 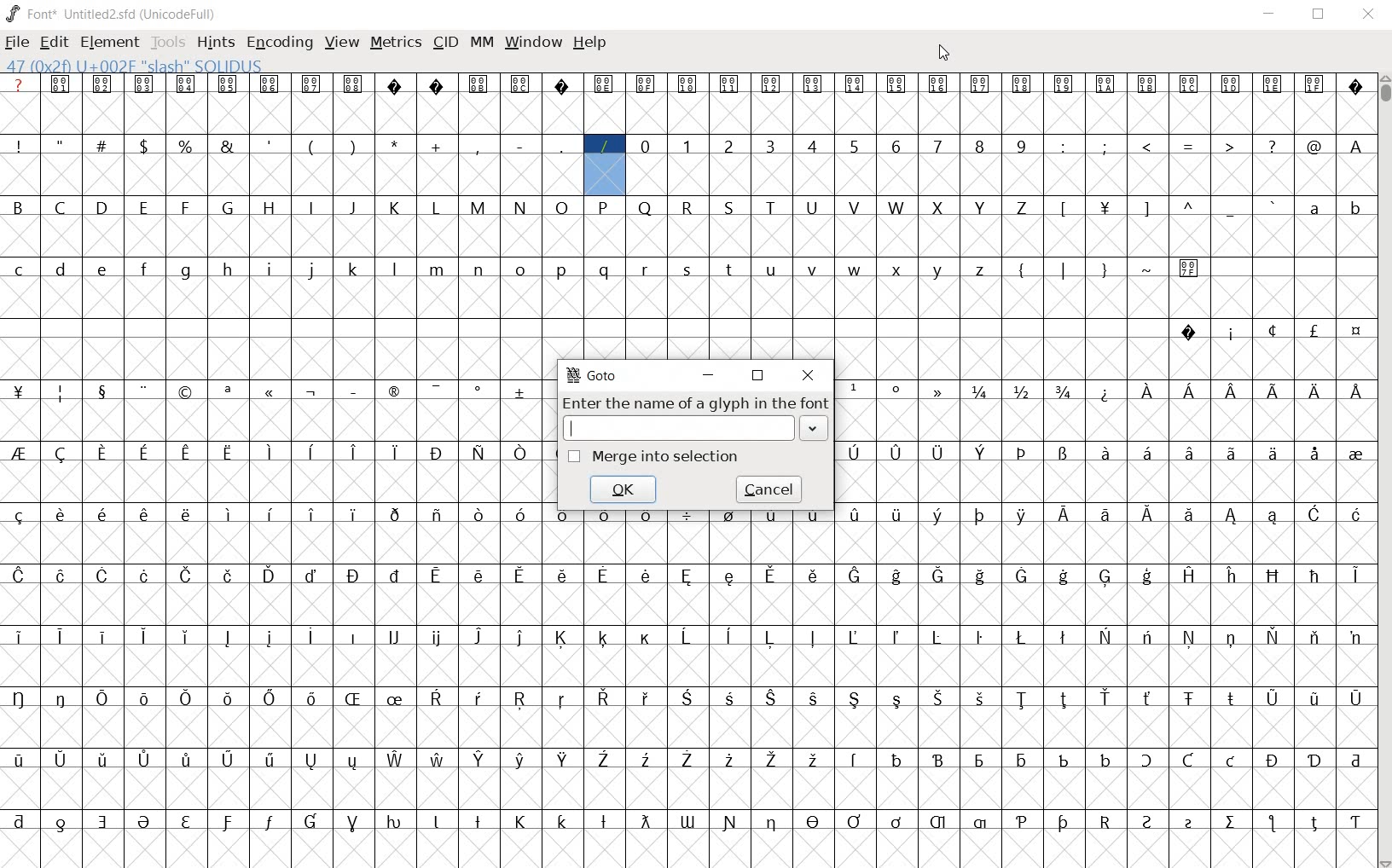 What do you see at coordinates (1314, 513) in the screenshot?
I see `glyph` at bounding box center [1314, 513].